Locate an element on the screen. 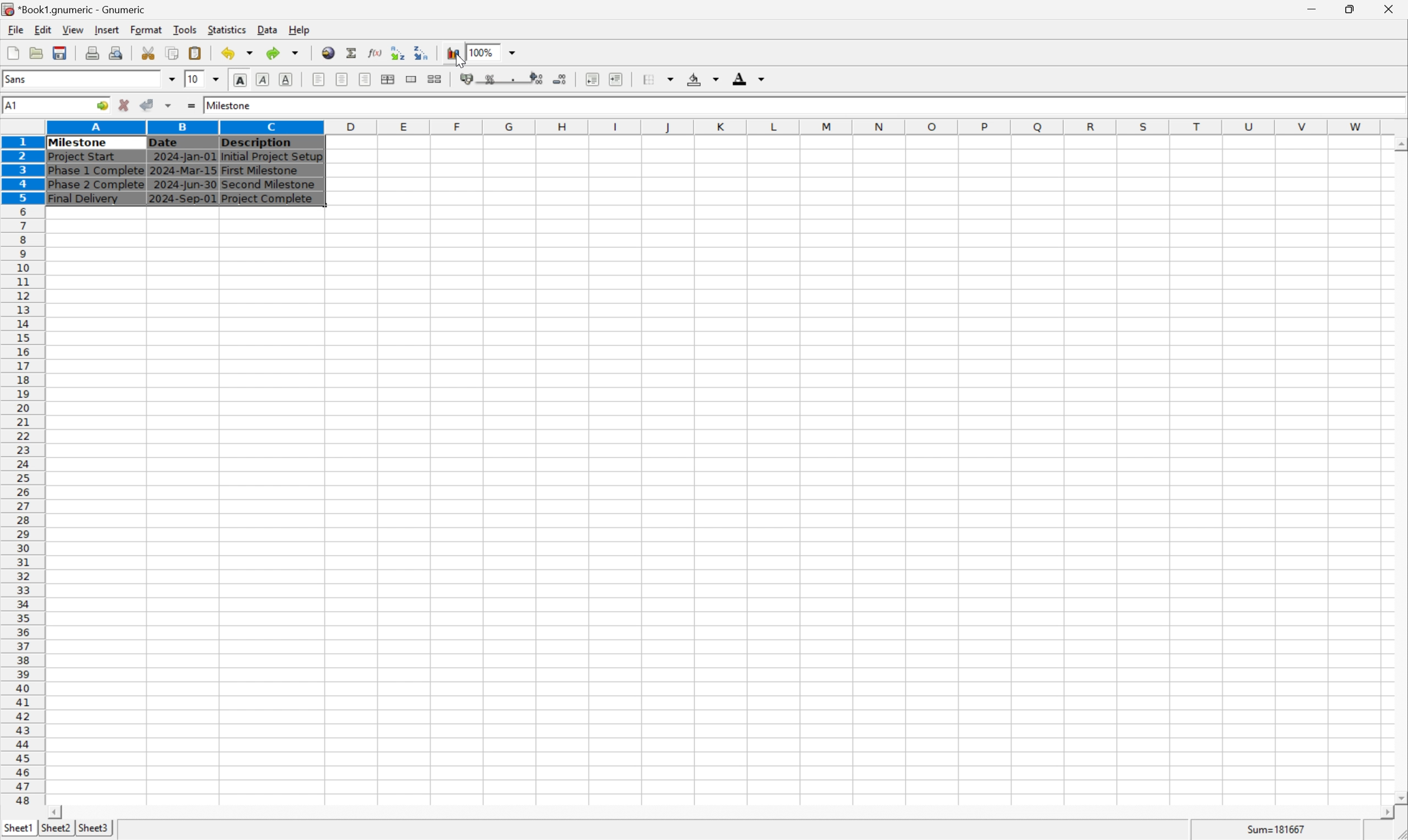 This screenshot has width=1408, height=840. insert chart is located at coordinates (452, 53).